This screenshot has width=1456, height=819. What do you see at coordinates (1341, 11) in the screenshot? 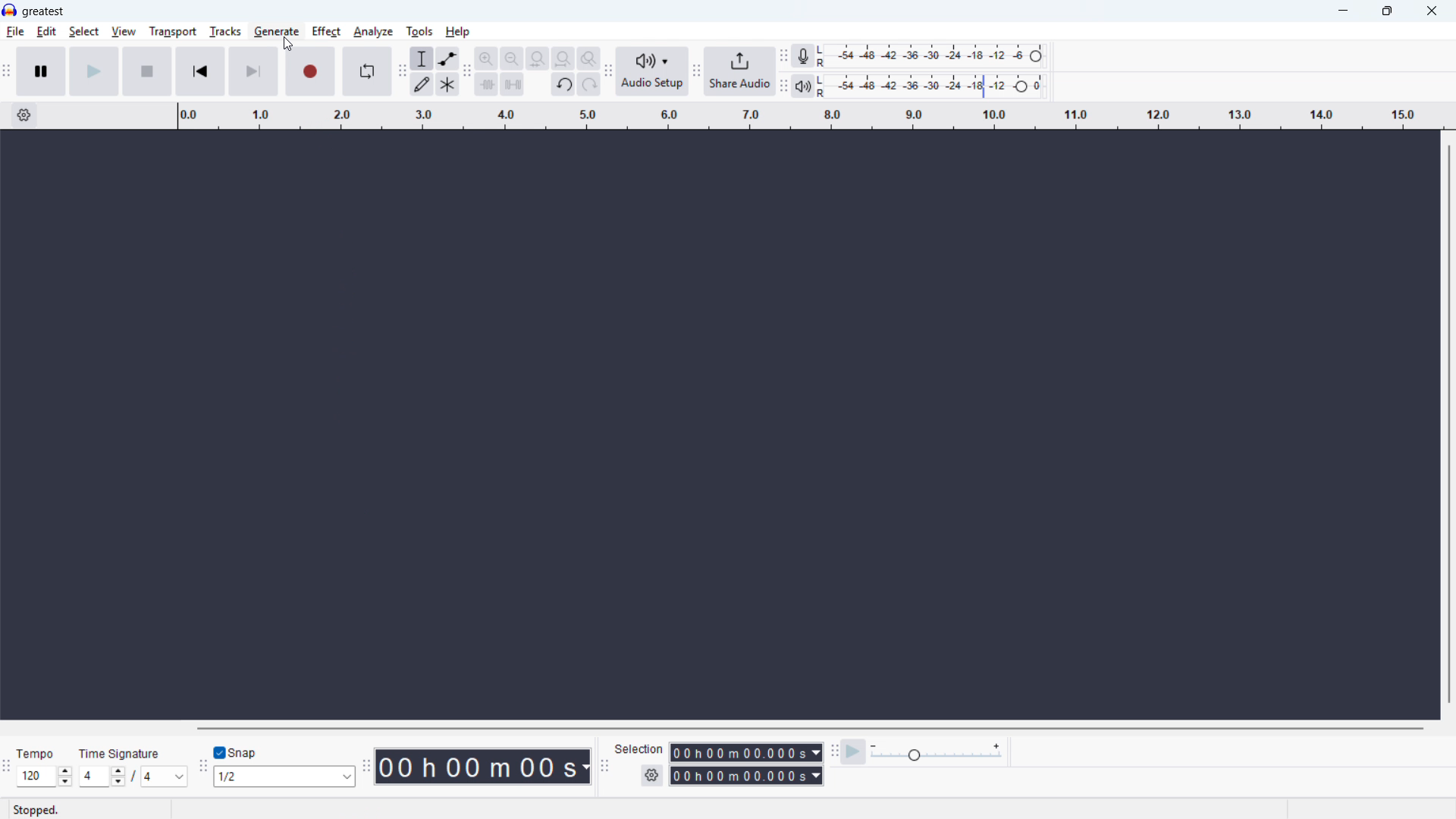
I see `minimise ` at bounding box center [1341, 11].